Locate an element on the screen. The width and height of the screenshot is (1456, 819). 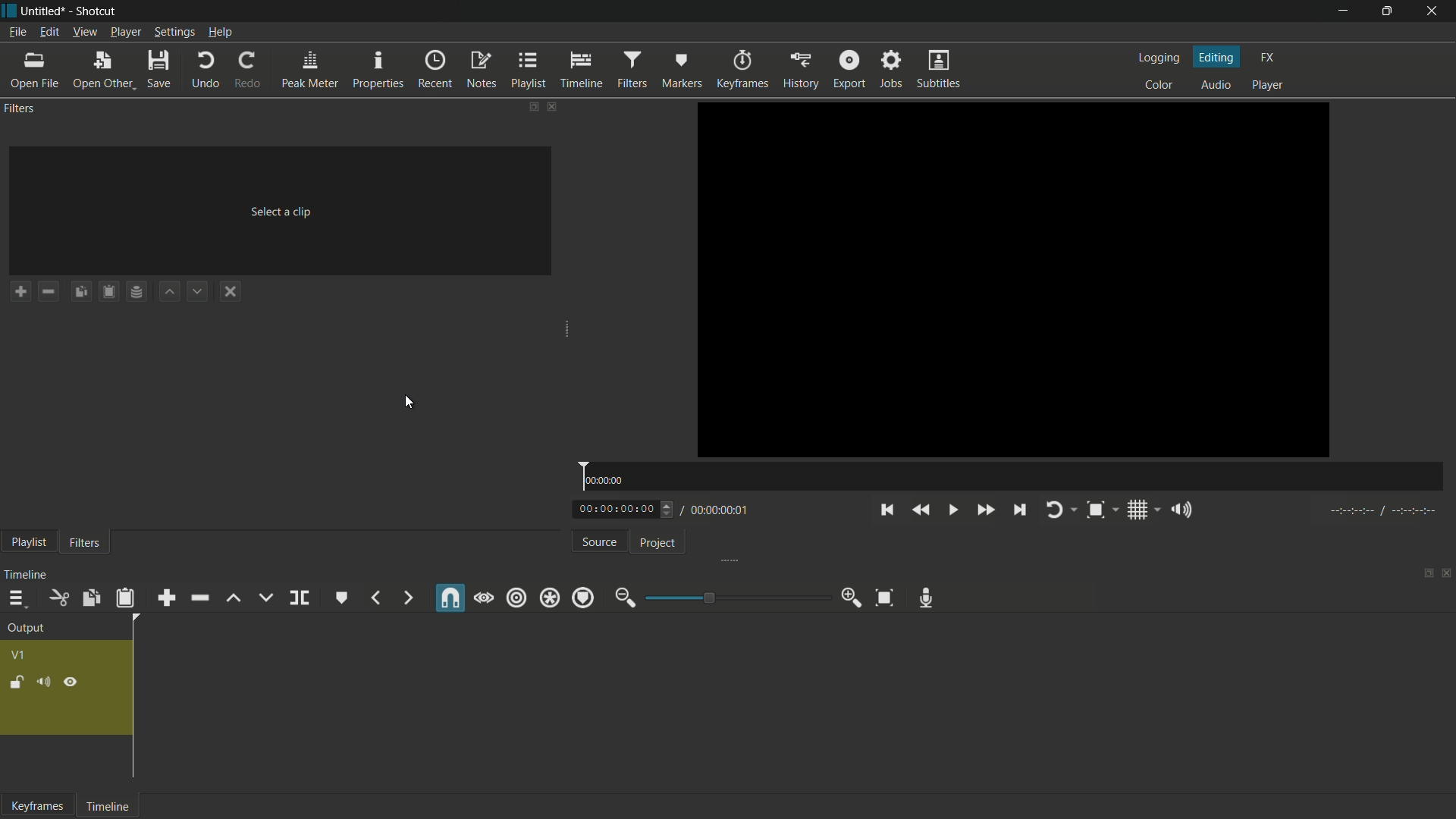
deselect the filter is located at coordinates (230, 290).